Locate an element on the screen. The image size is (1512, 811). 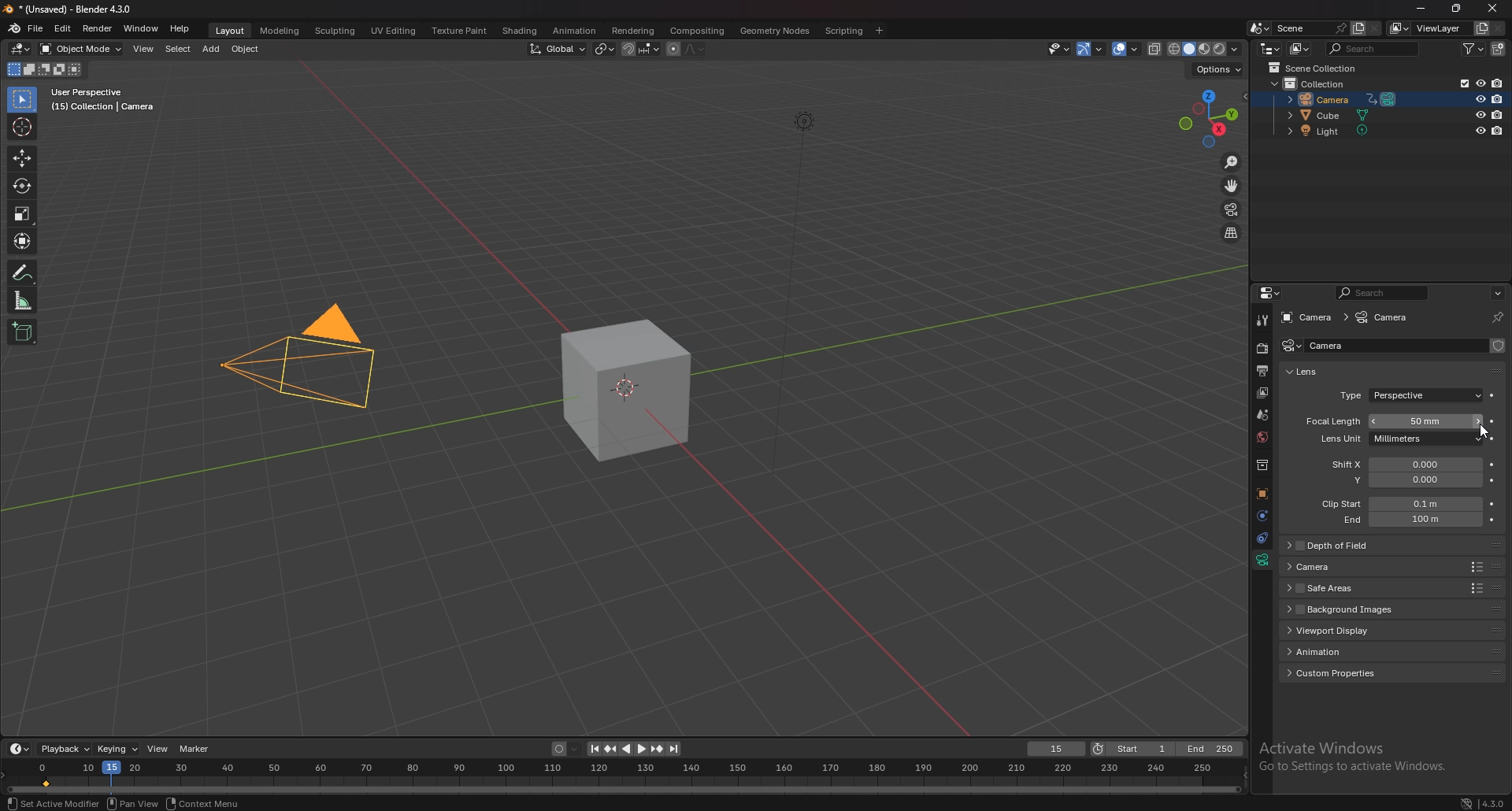
animation is located at coordinates (573, 30).